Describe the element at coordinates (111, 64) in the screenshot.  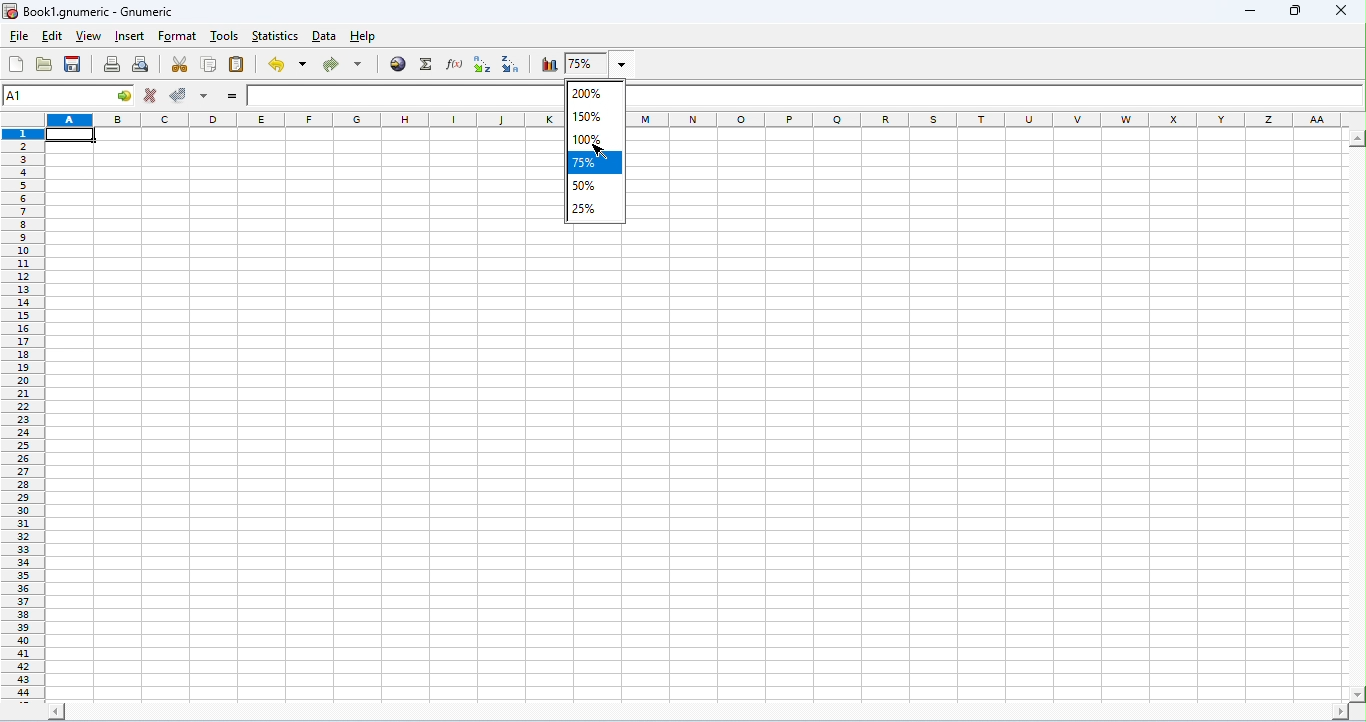
I see `print` at that location.